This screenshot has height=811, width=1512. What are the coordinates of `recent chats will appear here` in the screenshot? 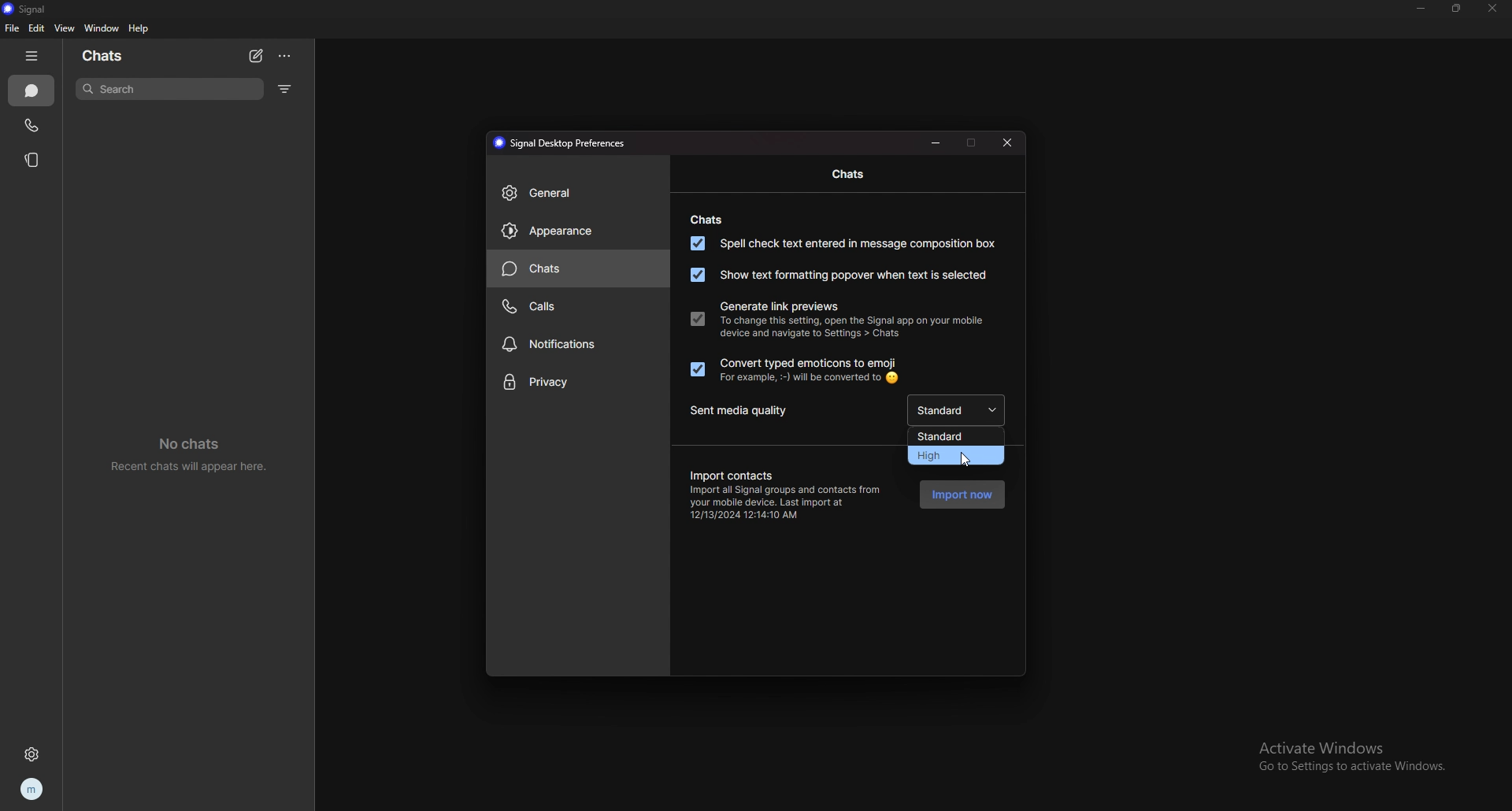 It's located at (191, 452).